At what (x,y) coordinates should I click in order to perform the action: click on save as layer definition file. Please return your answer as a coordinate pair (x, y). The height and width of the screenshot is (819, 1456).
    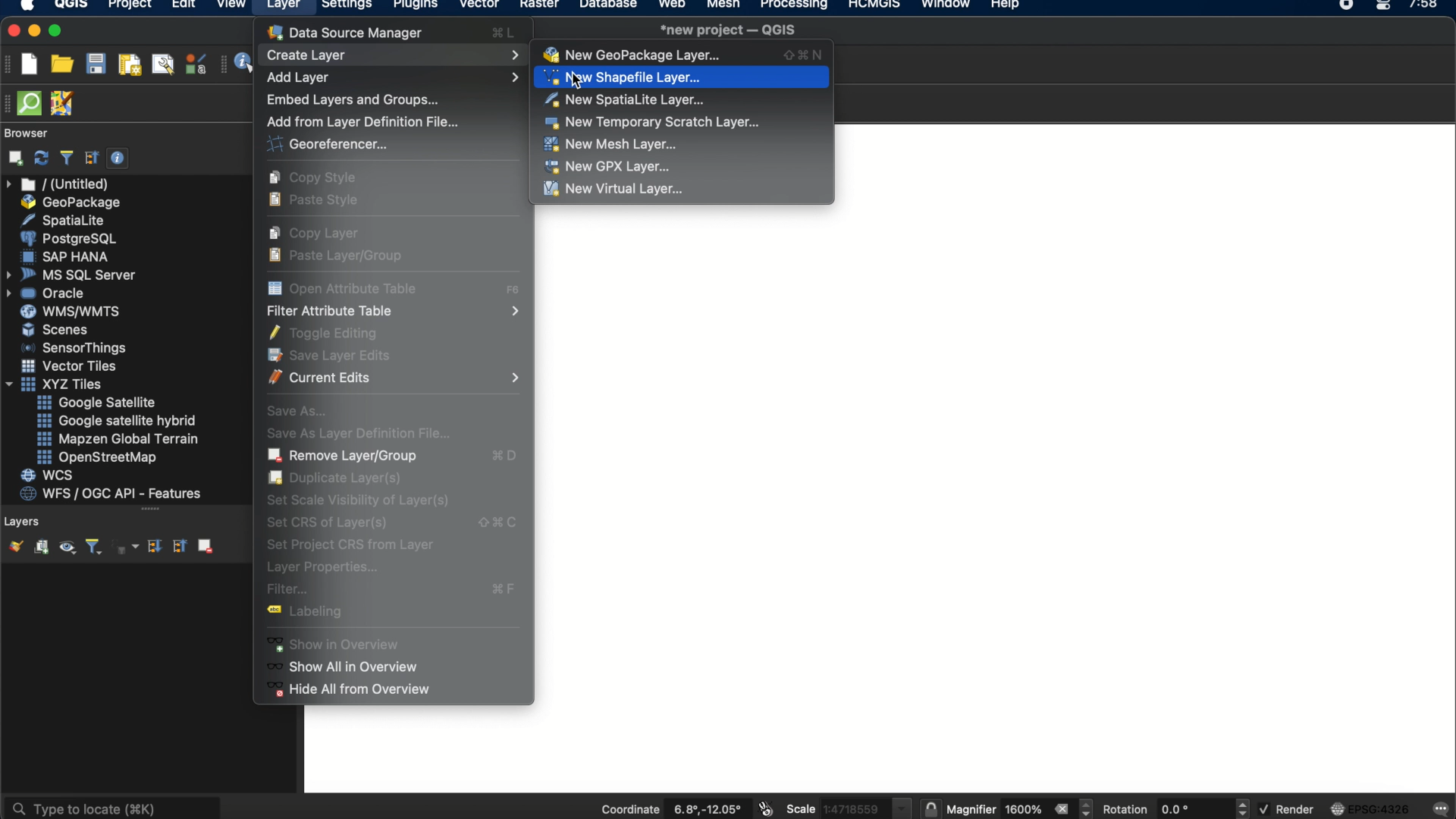
    Looking at the image, I should click on (361, 431).